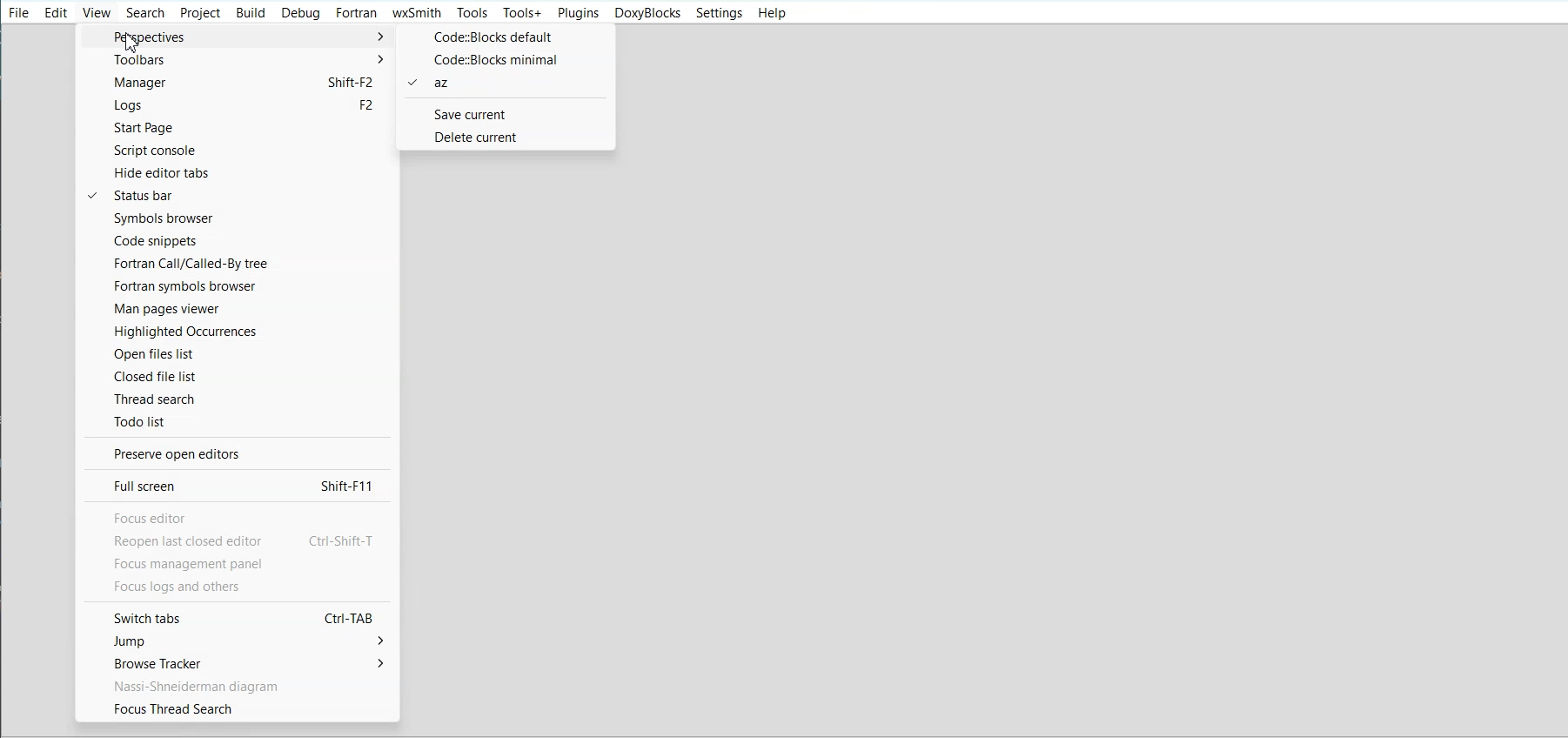 The image size is (1568, 738). Describe the element at coordinates (237, 376) in the screenshot. I see `Closed file list` at that location.